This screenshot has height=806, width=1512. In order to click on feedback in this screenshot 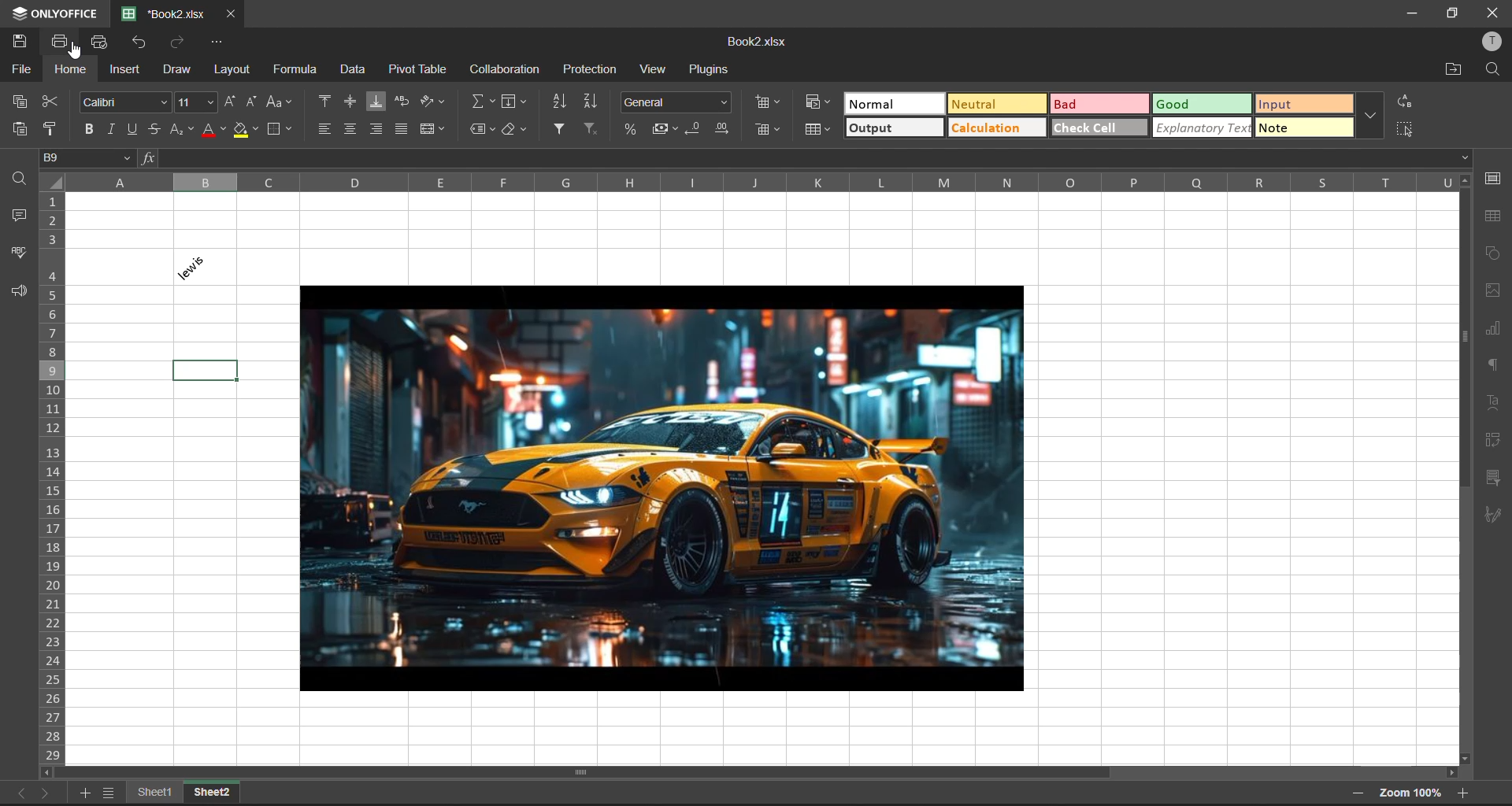, I will do `click(19, 295)`.